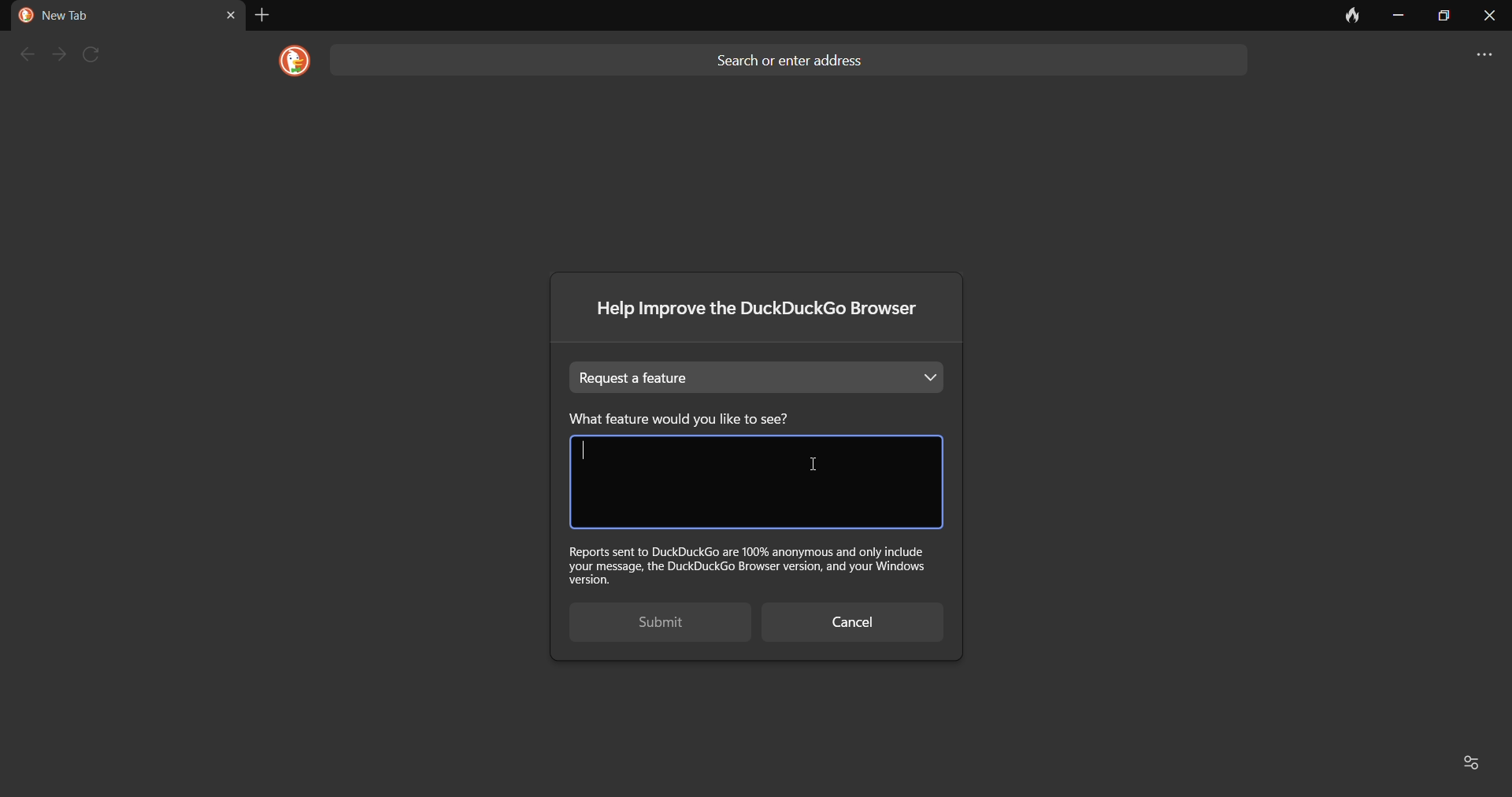  I want to click on add tab, so click(261, 15).